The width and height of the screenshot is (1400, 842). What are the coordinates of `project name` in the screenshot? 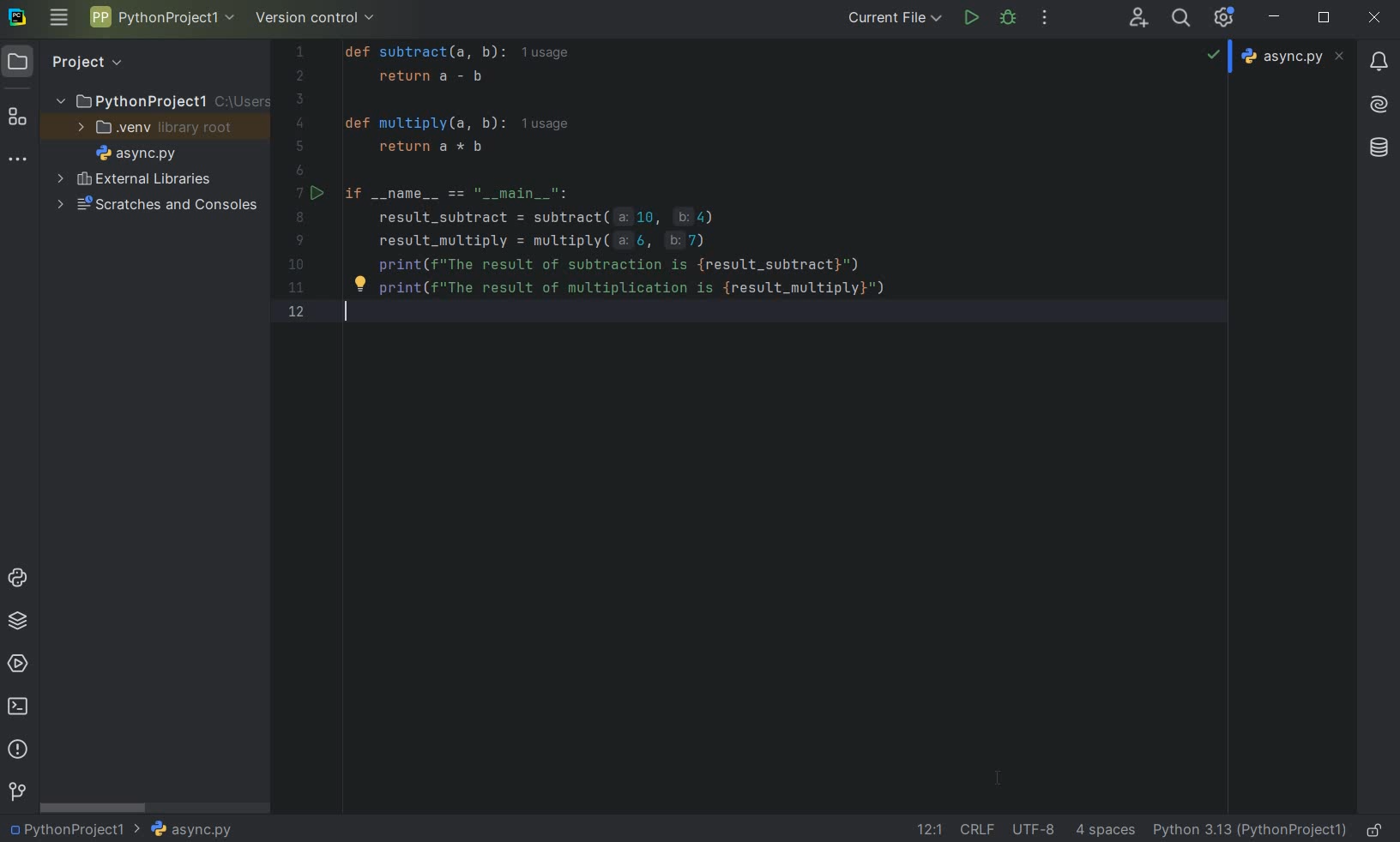 It's located at (64, 829).